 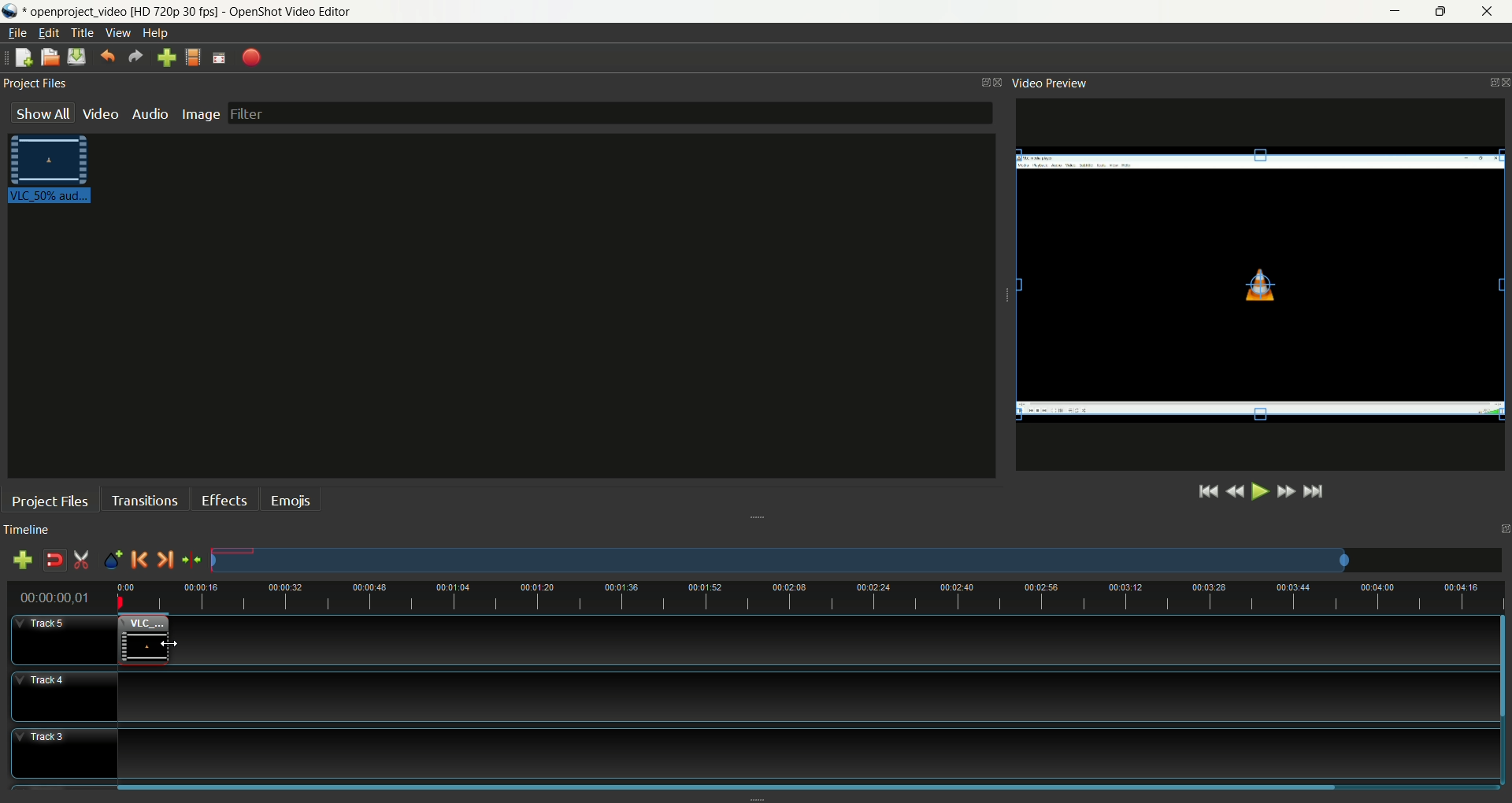 What do you see at coordinates (167, 57) in the screenshot?
I see `import files` at bounding box center [167, 57].